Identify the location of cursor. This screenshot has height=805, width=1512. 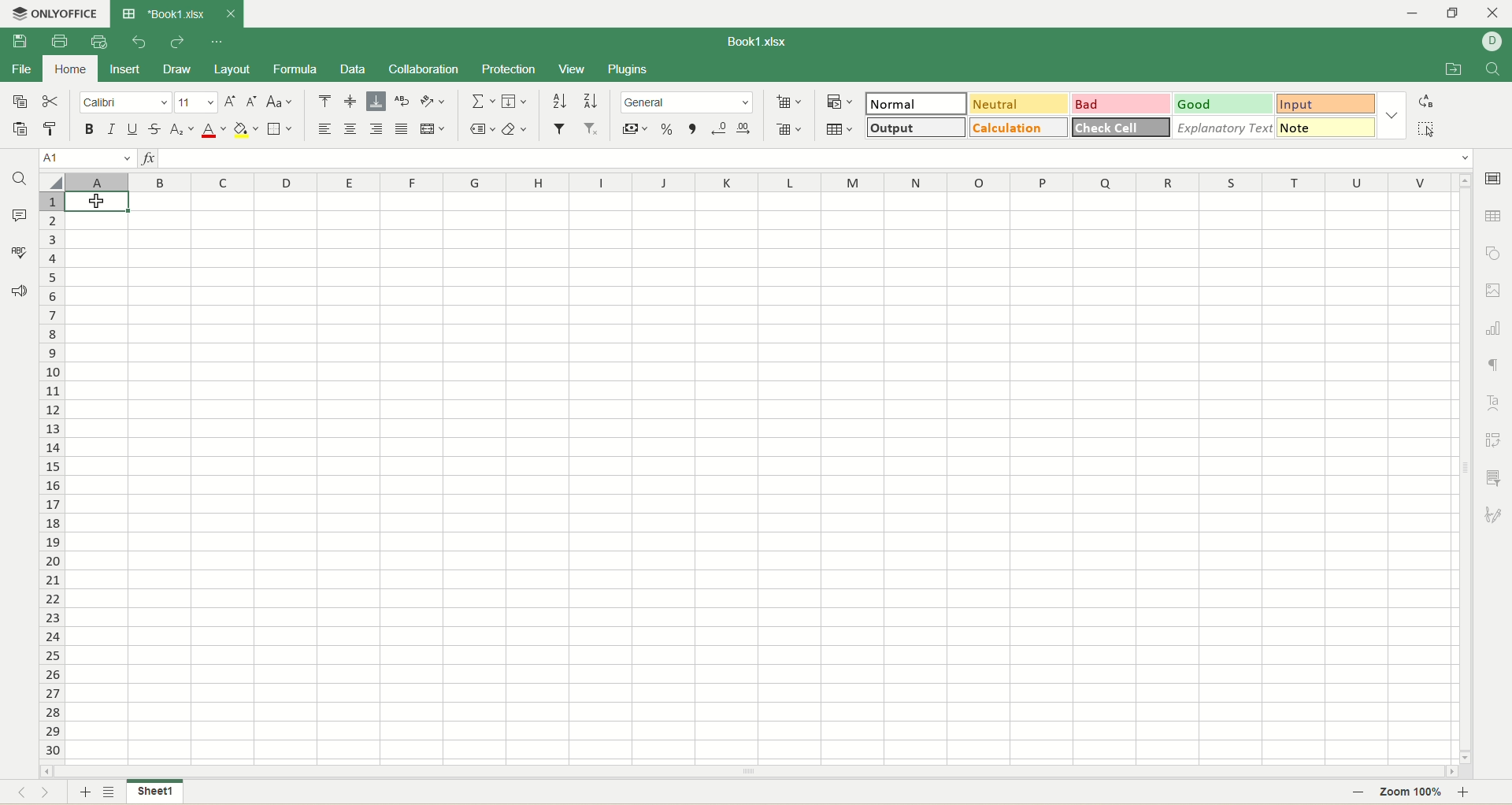
(95, 205).